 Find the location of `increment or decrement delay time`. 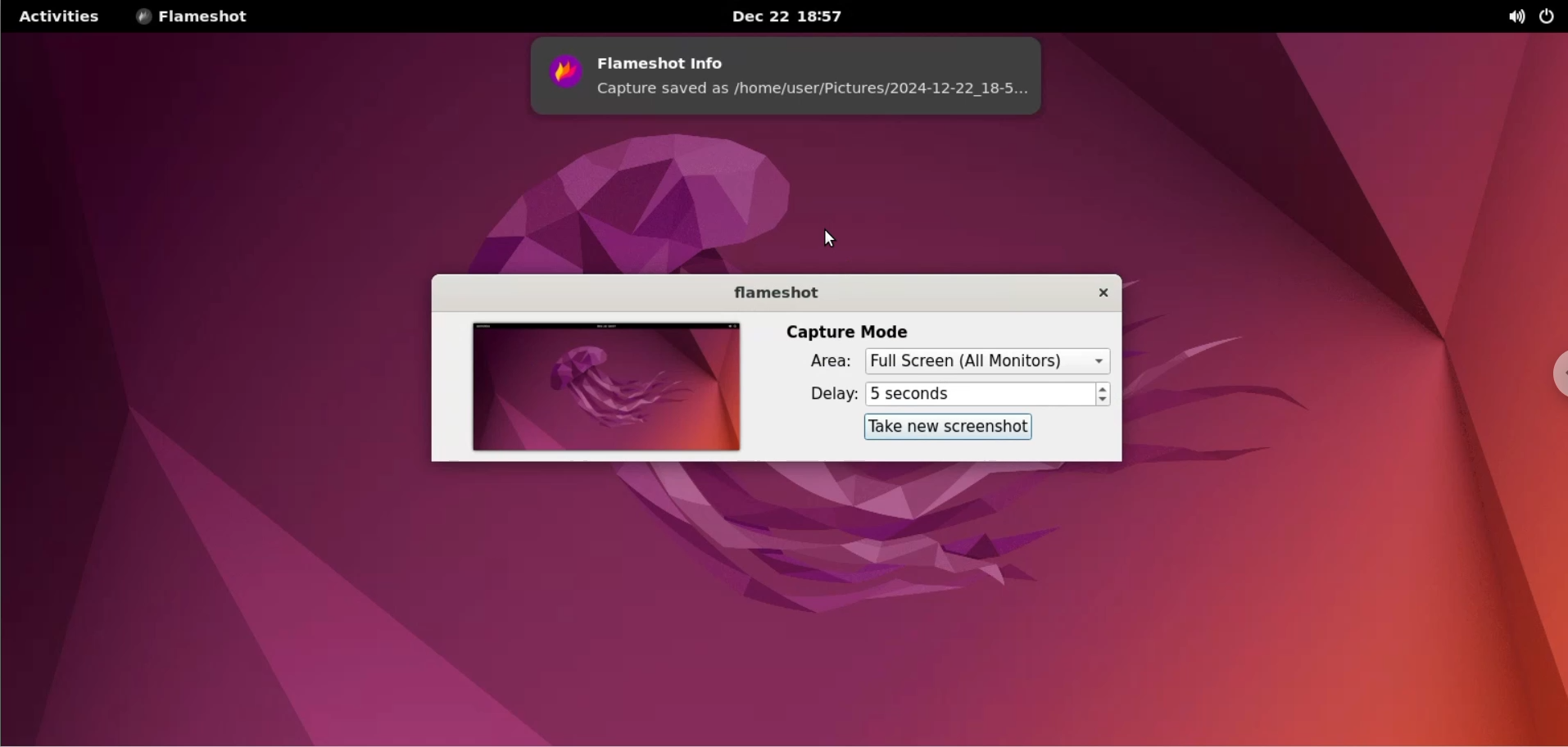

increment or decrement delay time is located at coordinates (1104, 396).